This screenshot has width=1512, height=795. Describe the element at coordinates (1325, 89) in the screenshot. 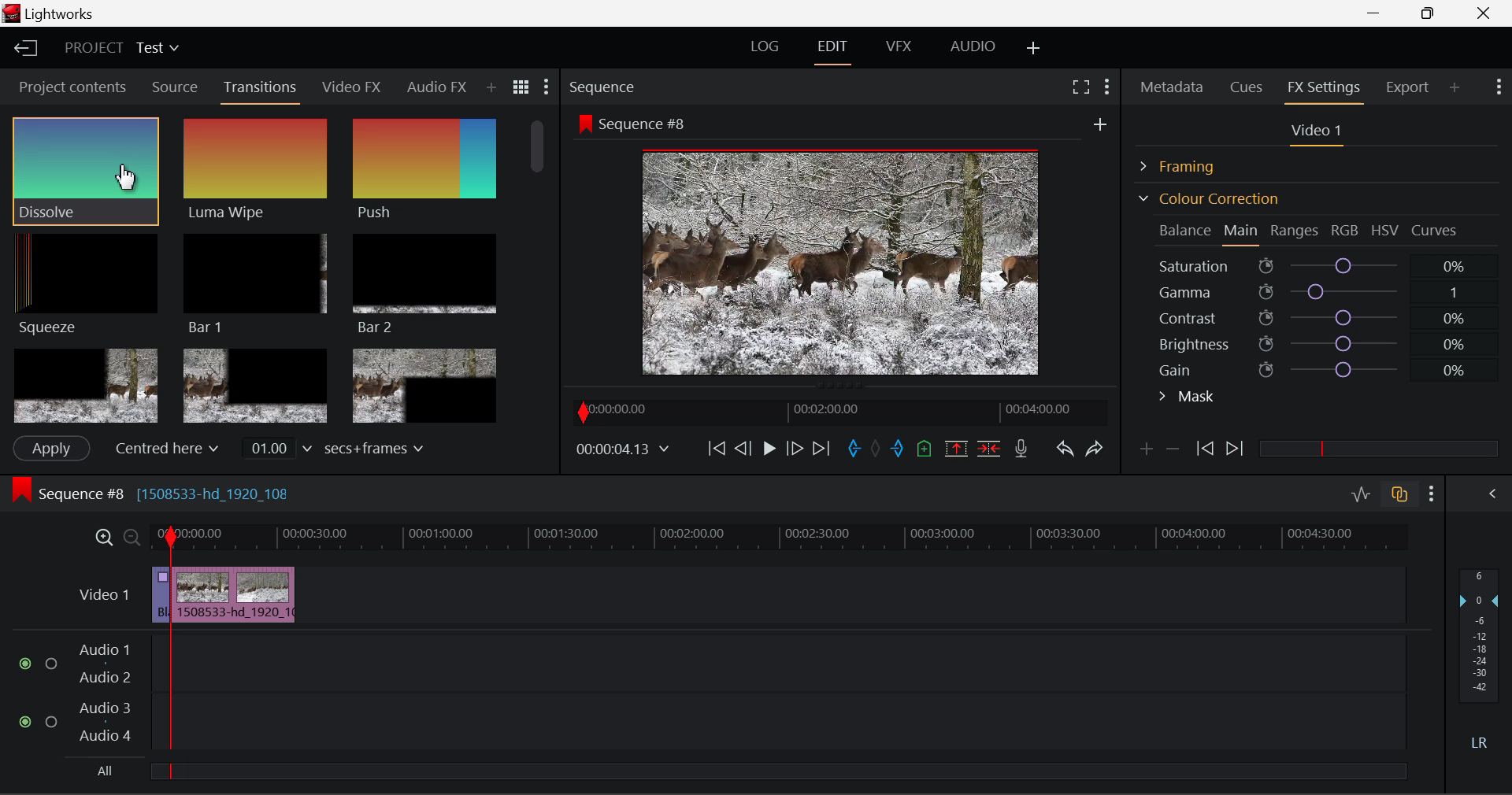

I see `FX Settings Panel Open` at that location.